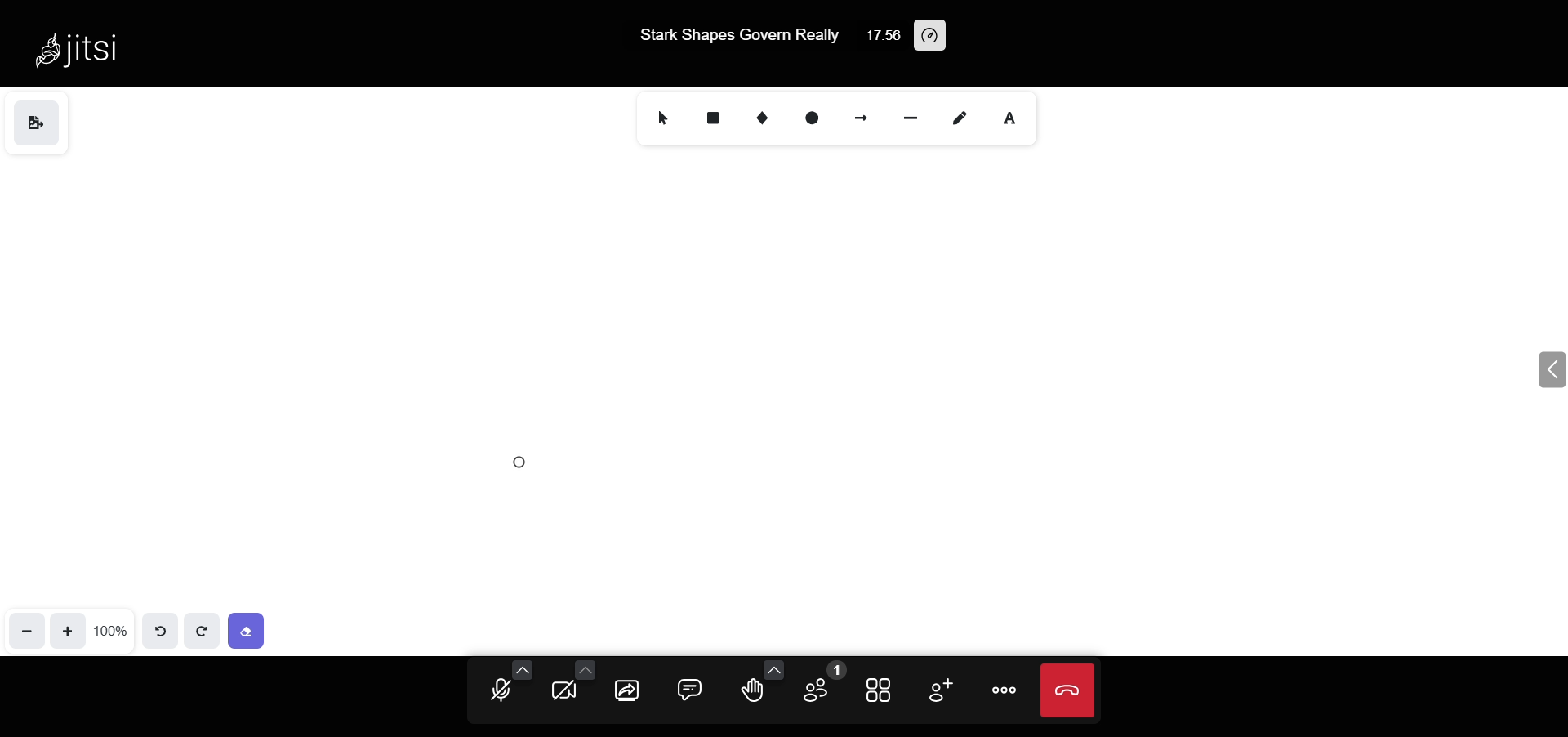 Image resolution: width=1568 pixels, height=737 pixels. What do you see at coordinates (773, 669) in the screenshot?
I see `more emoji` at bounding box center [773, 669].